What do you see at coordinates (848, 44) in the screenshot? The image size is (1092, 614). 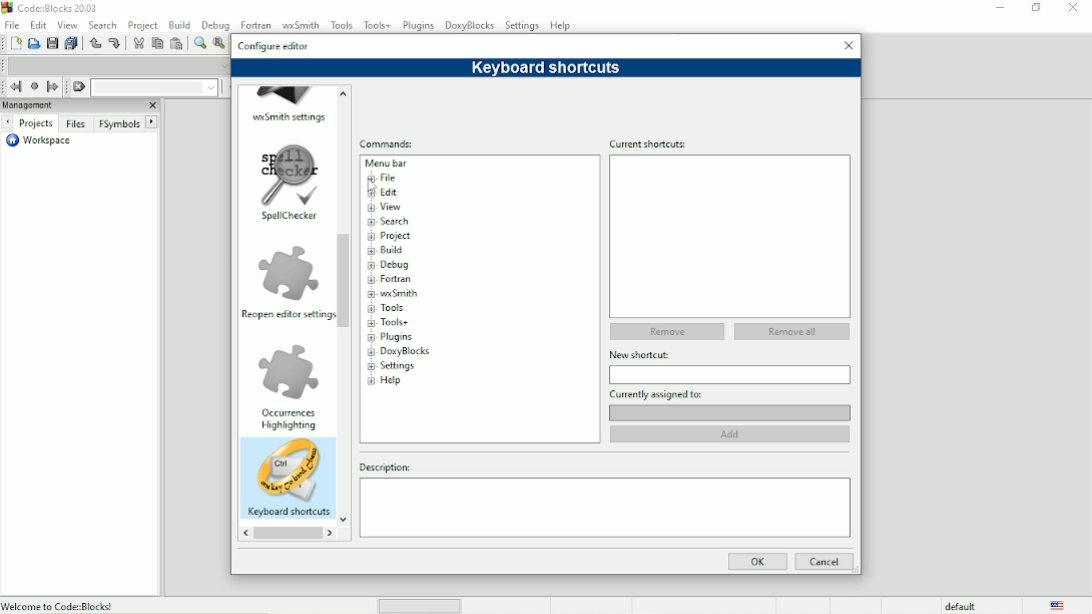 I see `Close` at bounding box center [848, 44].